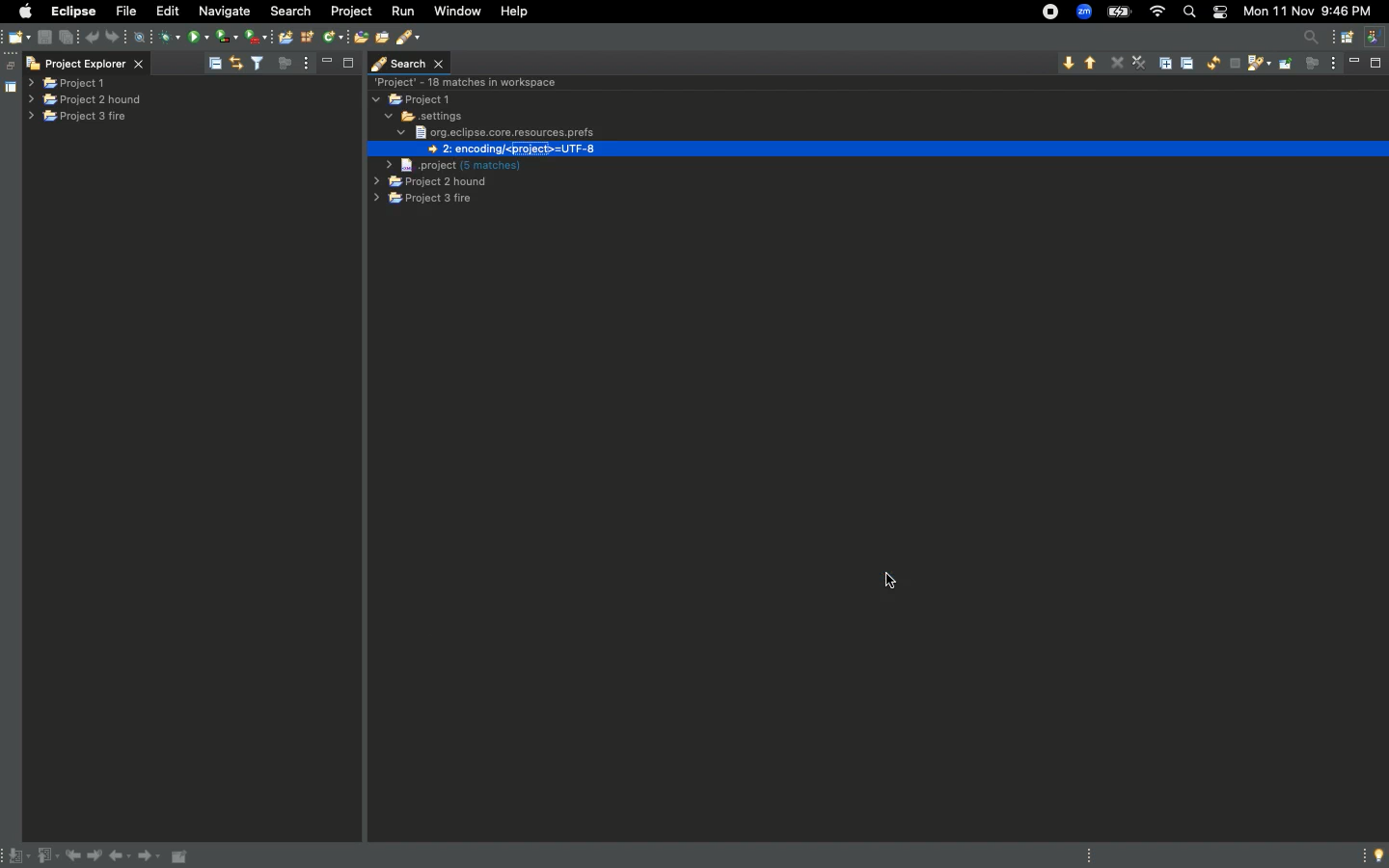  Describe the element at coordinates (1374, 855) in the screenshot. I see `Tip of the day` at that location.